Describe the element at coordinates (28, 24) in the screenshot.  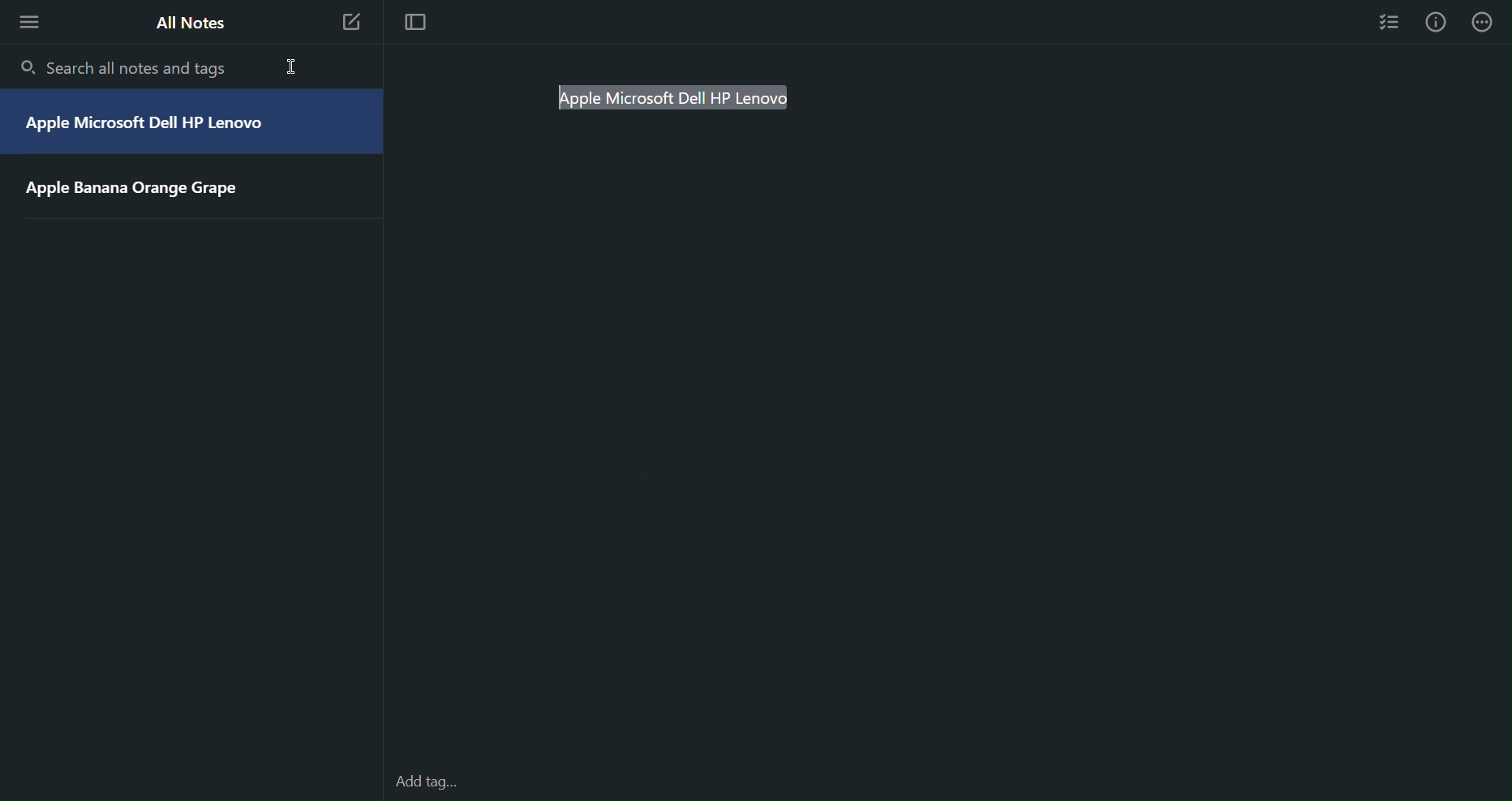
I see `More` at that location.